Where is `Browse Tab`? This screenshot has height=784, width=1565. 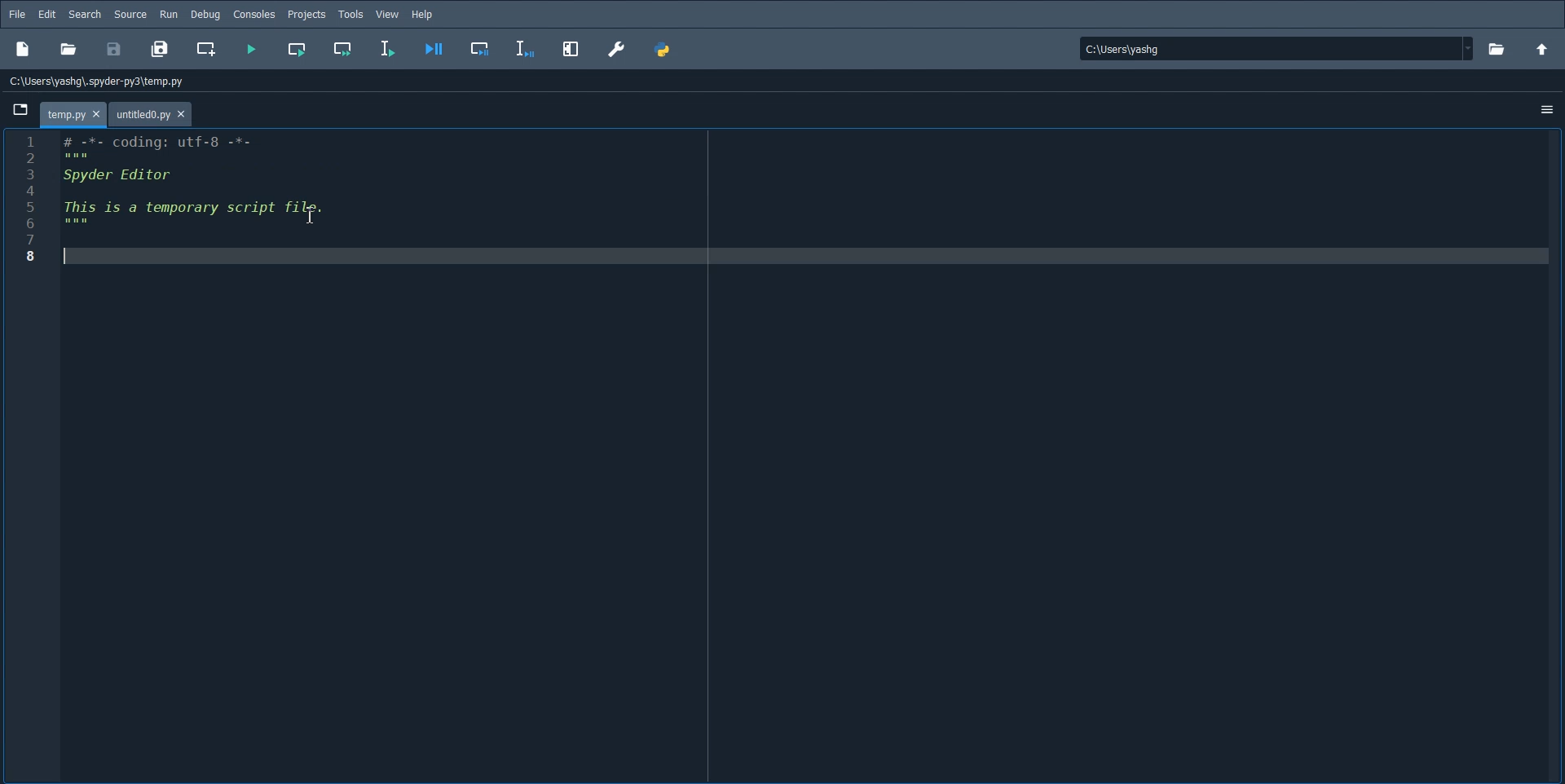
Browse Tab is located at coordinates (20, 109).